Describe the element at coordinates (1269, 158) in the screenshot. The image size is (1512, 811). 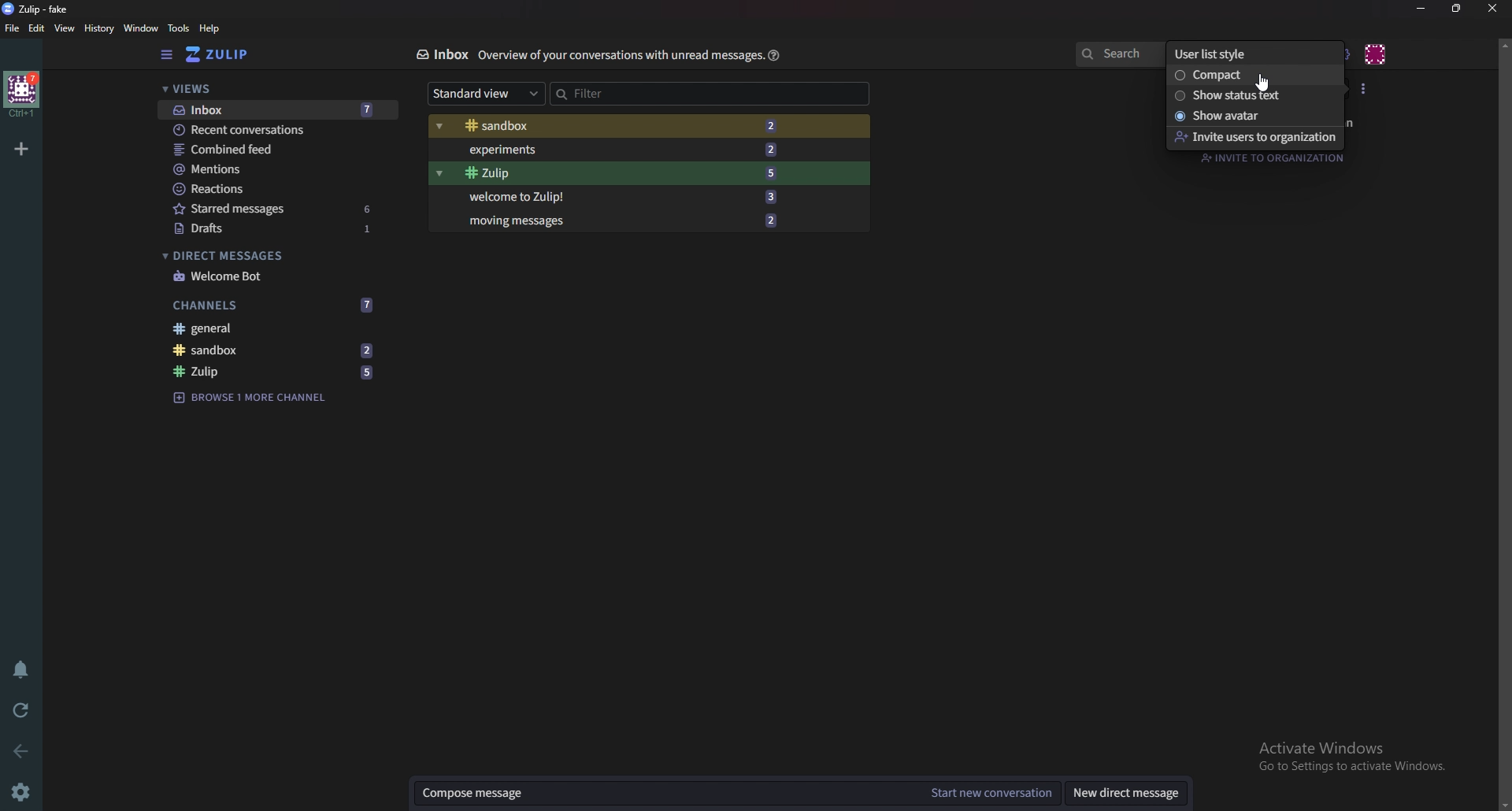
I see `Invite to organization` at that location.